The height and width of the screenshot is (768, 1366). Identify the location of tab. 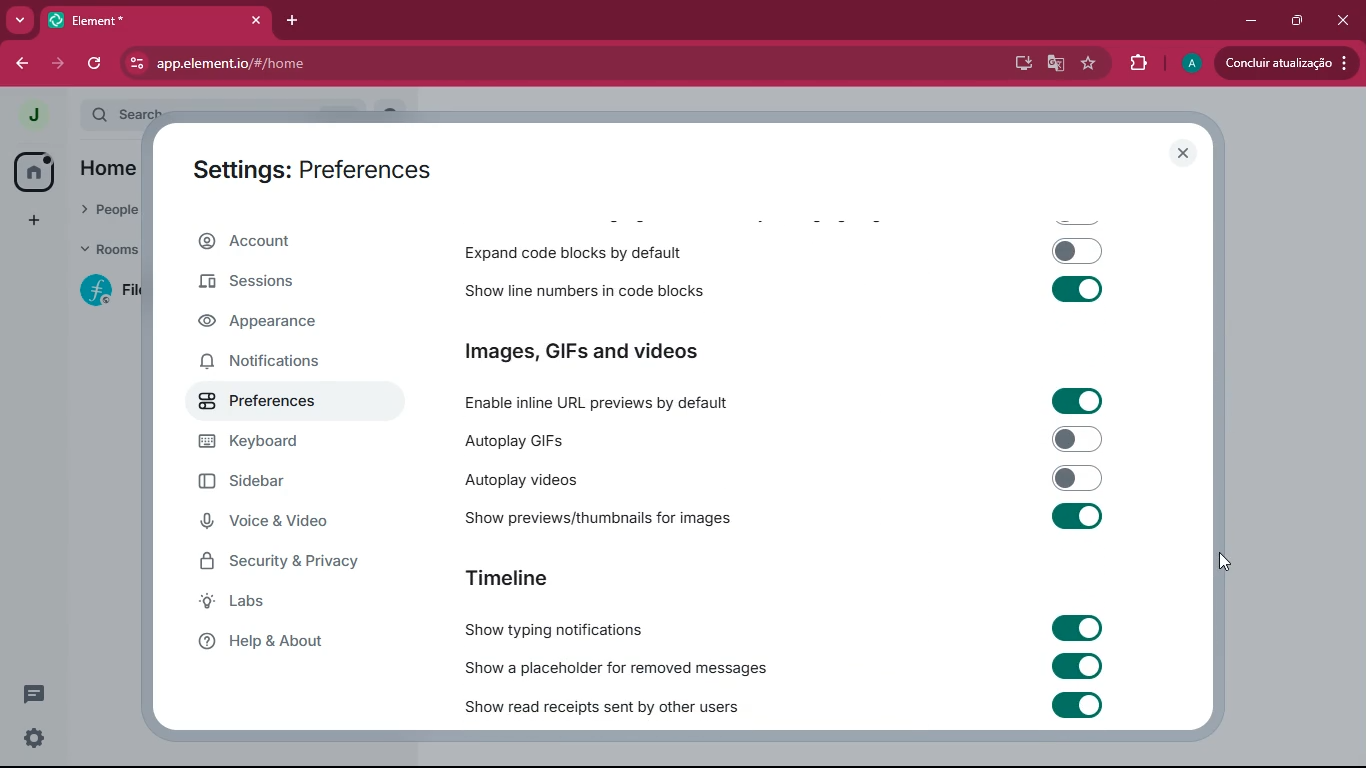
(134, 21).